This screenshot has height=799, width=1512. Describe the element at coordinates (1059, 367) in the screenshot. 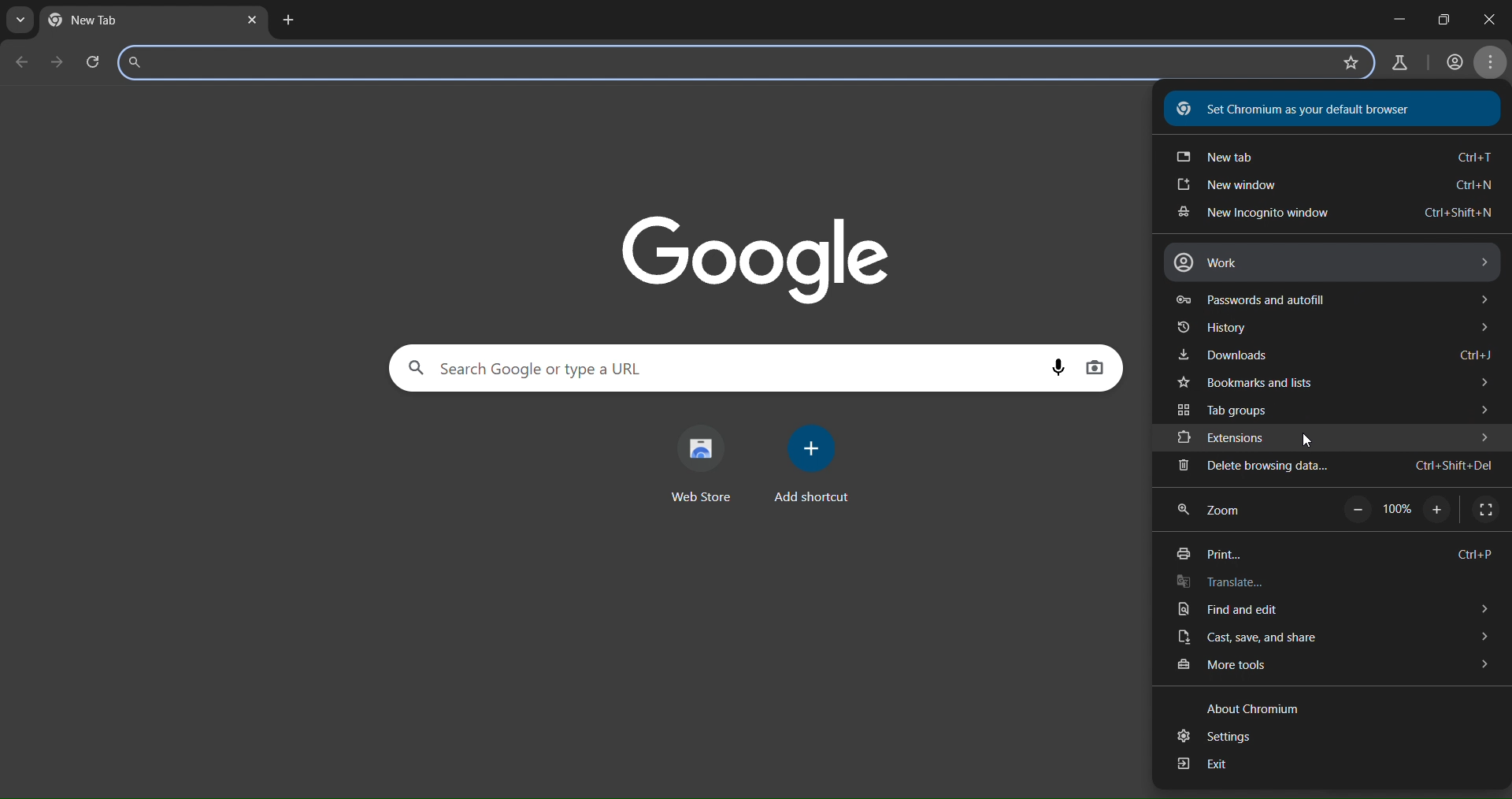

I see `voice search` at that location.